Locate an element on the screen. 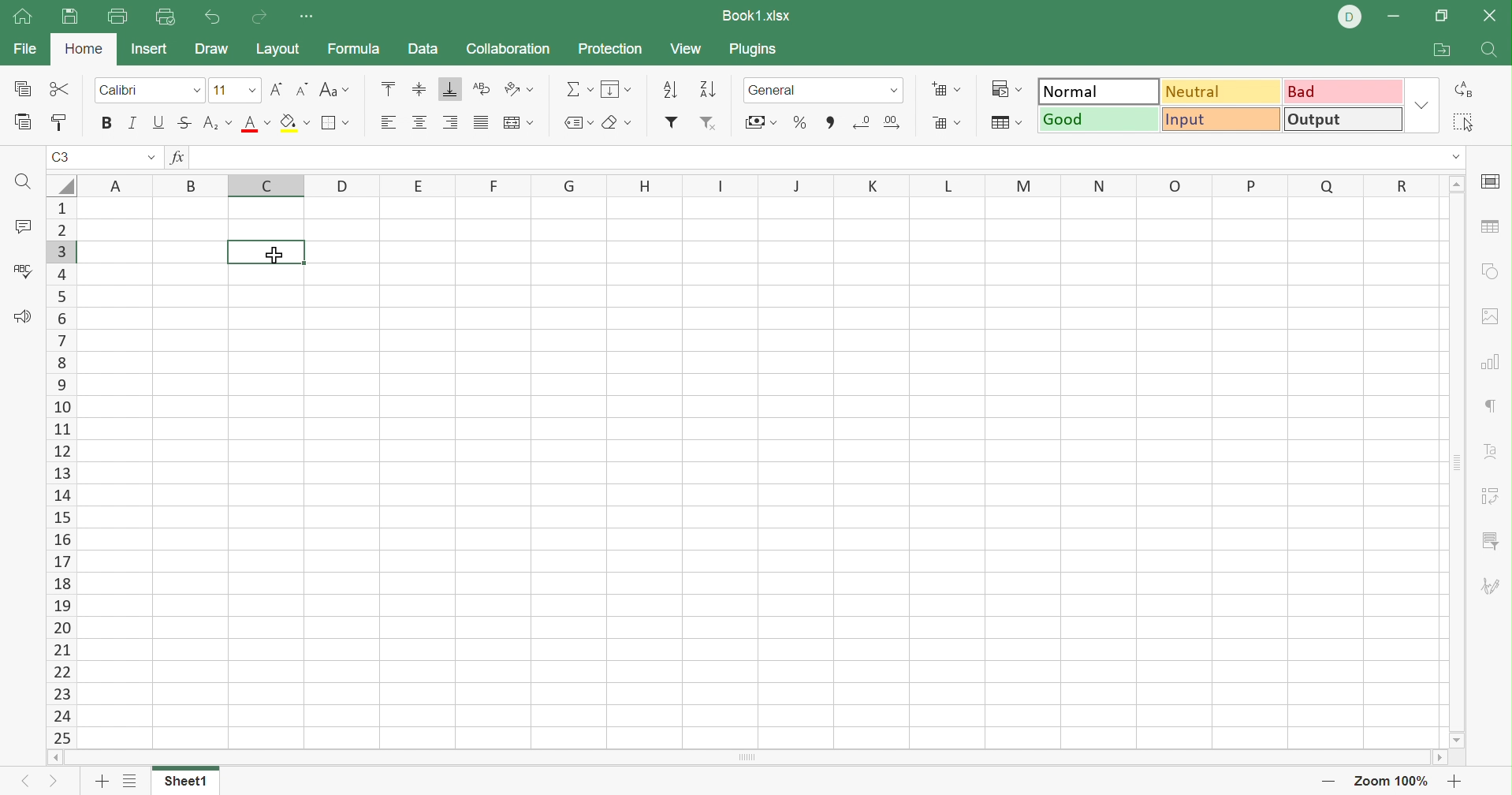 Image resolution: width=1512 pixels, height=795 pixels. Neutral is located at coordinates (1223, 94).